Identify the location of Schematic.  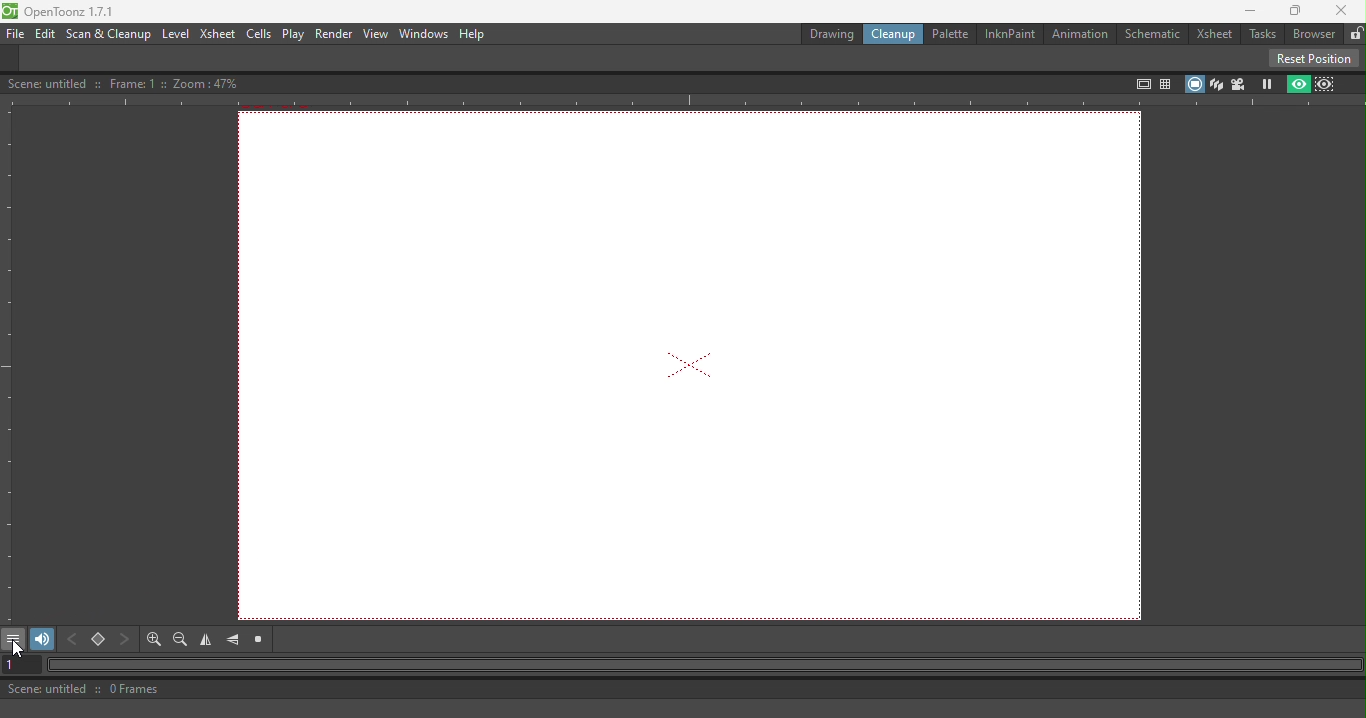
(1155, 32).